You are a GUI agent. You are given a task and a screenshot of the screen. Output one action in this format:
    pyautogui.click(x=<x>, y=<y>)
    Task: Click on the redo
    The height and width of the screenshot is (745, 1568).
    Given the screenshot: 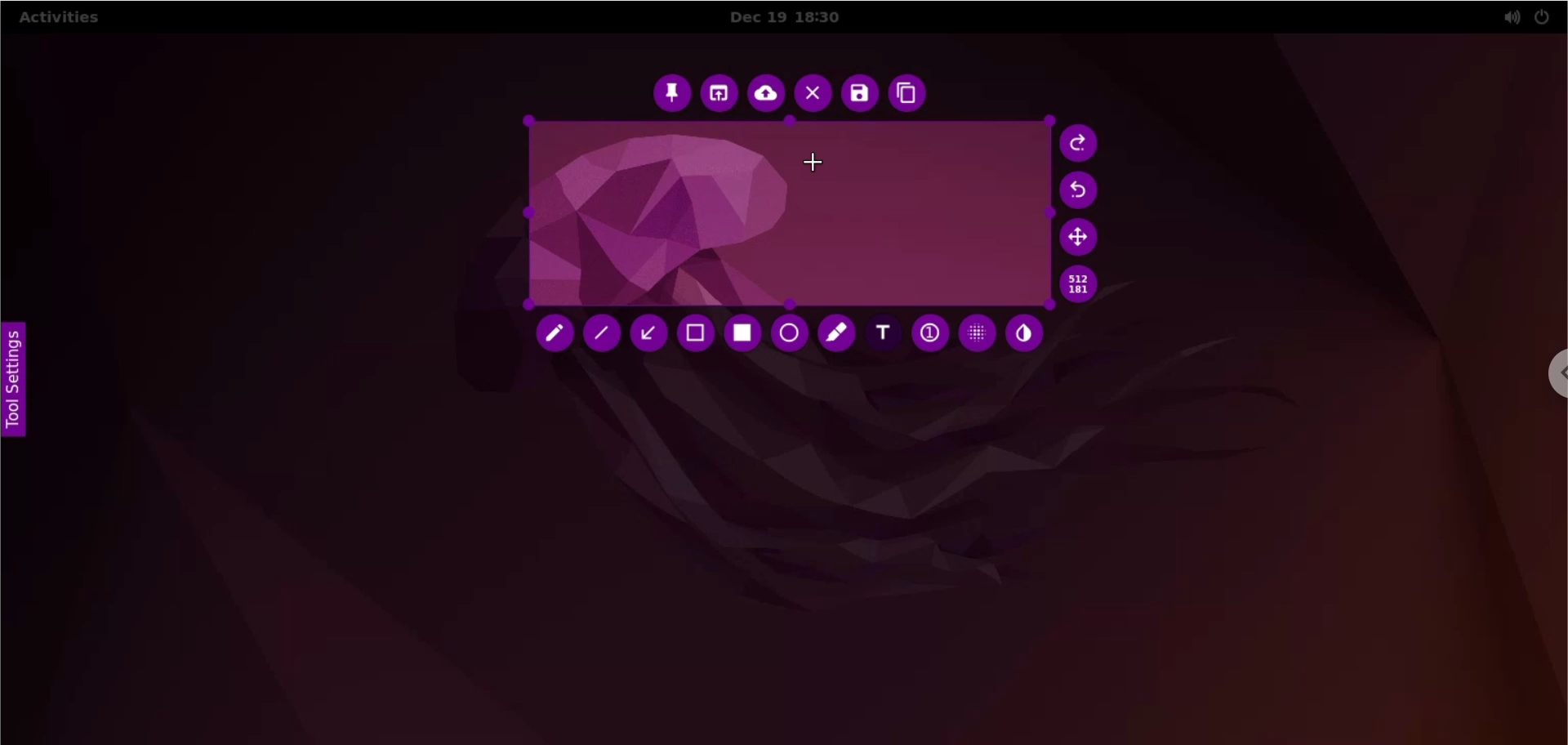 What is the action you would take?
    pyautogui.click(x=1081, y=145)
    